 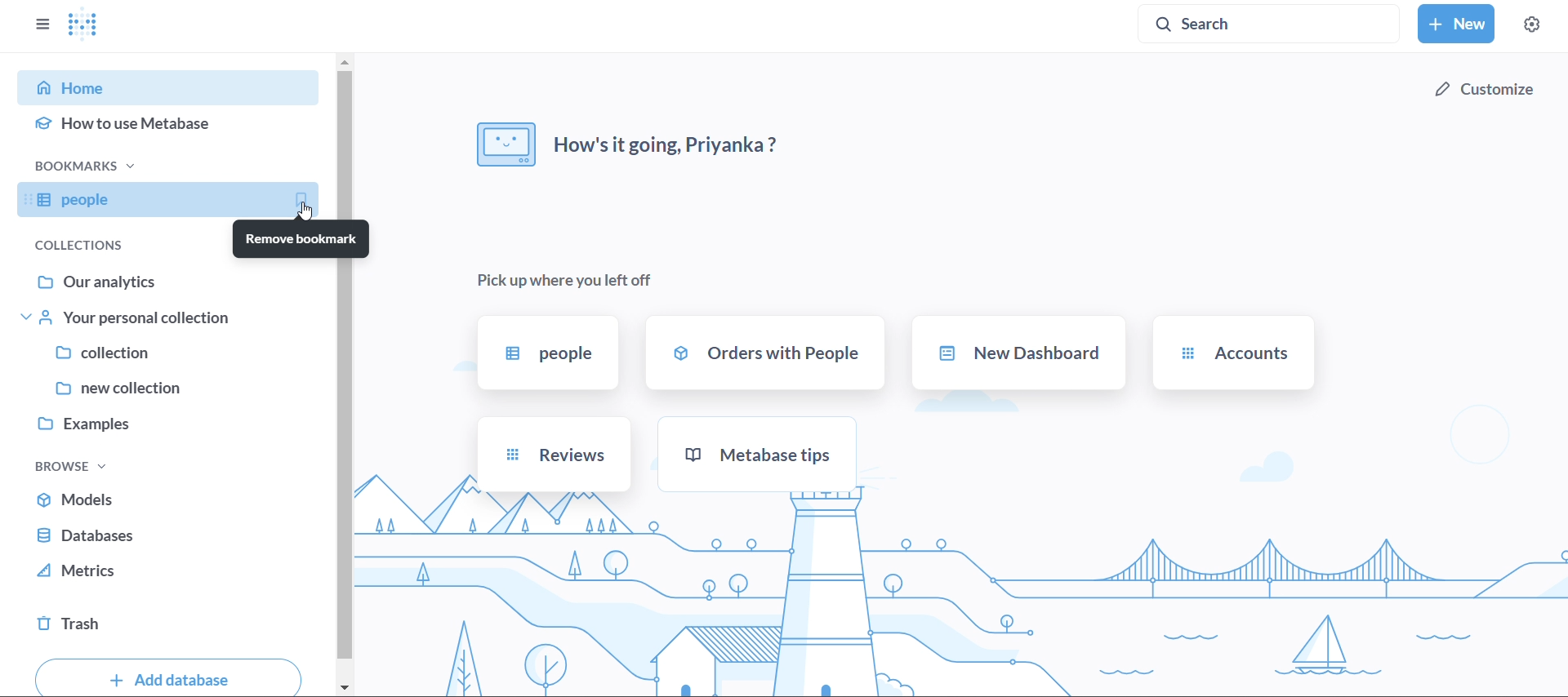 I want to click on settings, so click(x=1532, y=21).